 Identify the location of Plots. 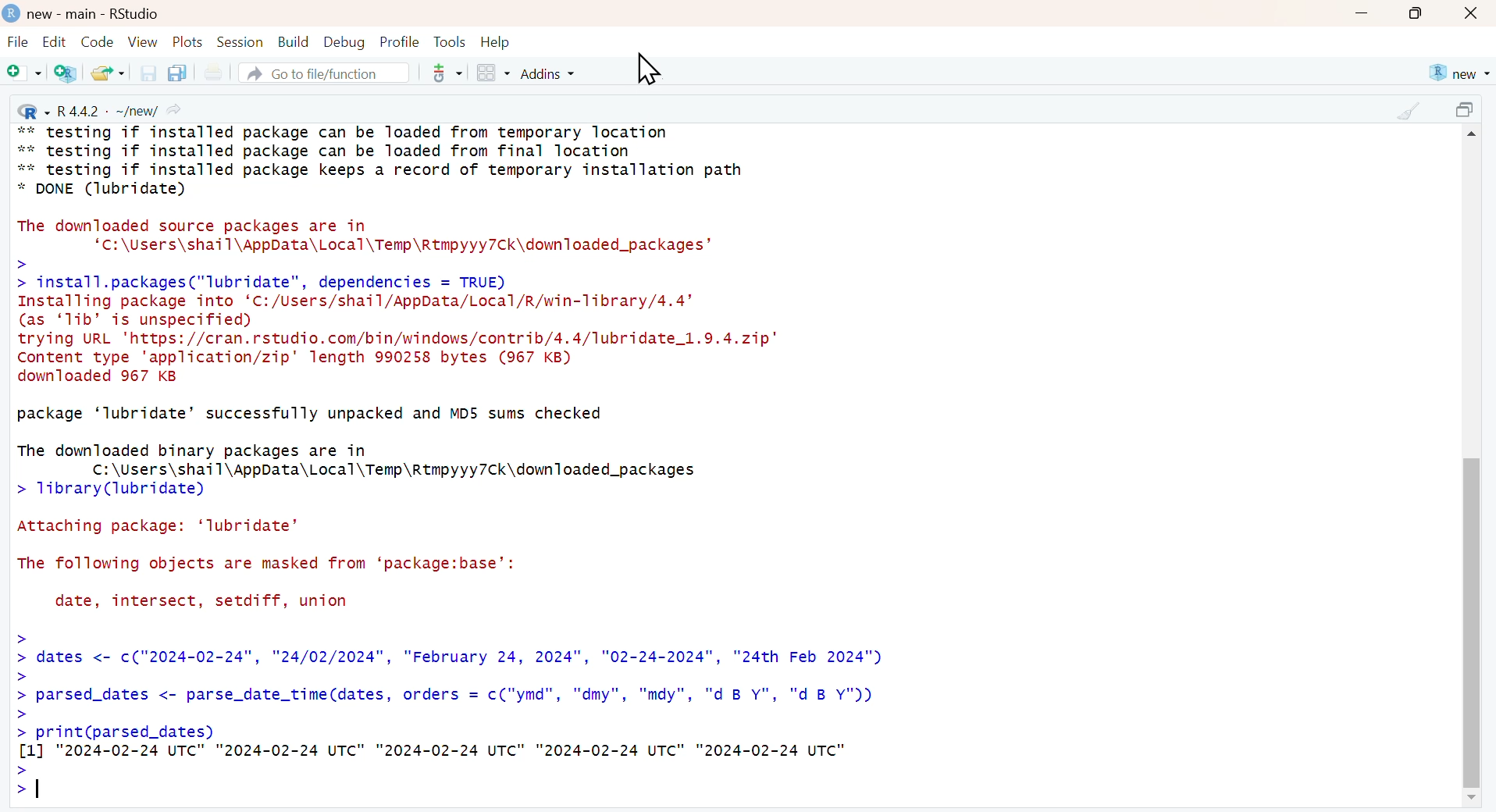
(188, 41).